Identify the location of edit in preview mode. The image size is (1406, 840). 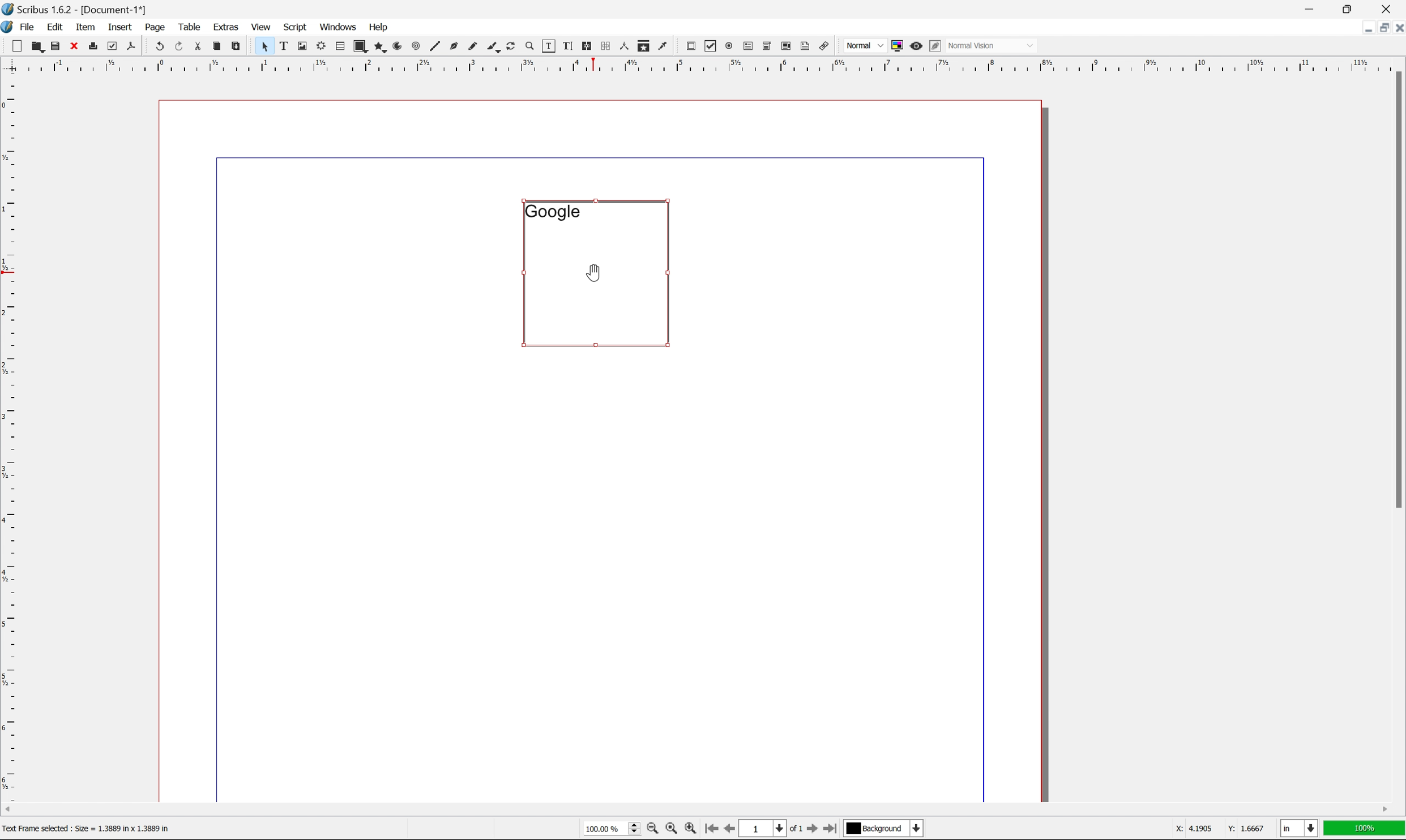
(935, 46).